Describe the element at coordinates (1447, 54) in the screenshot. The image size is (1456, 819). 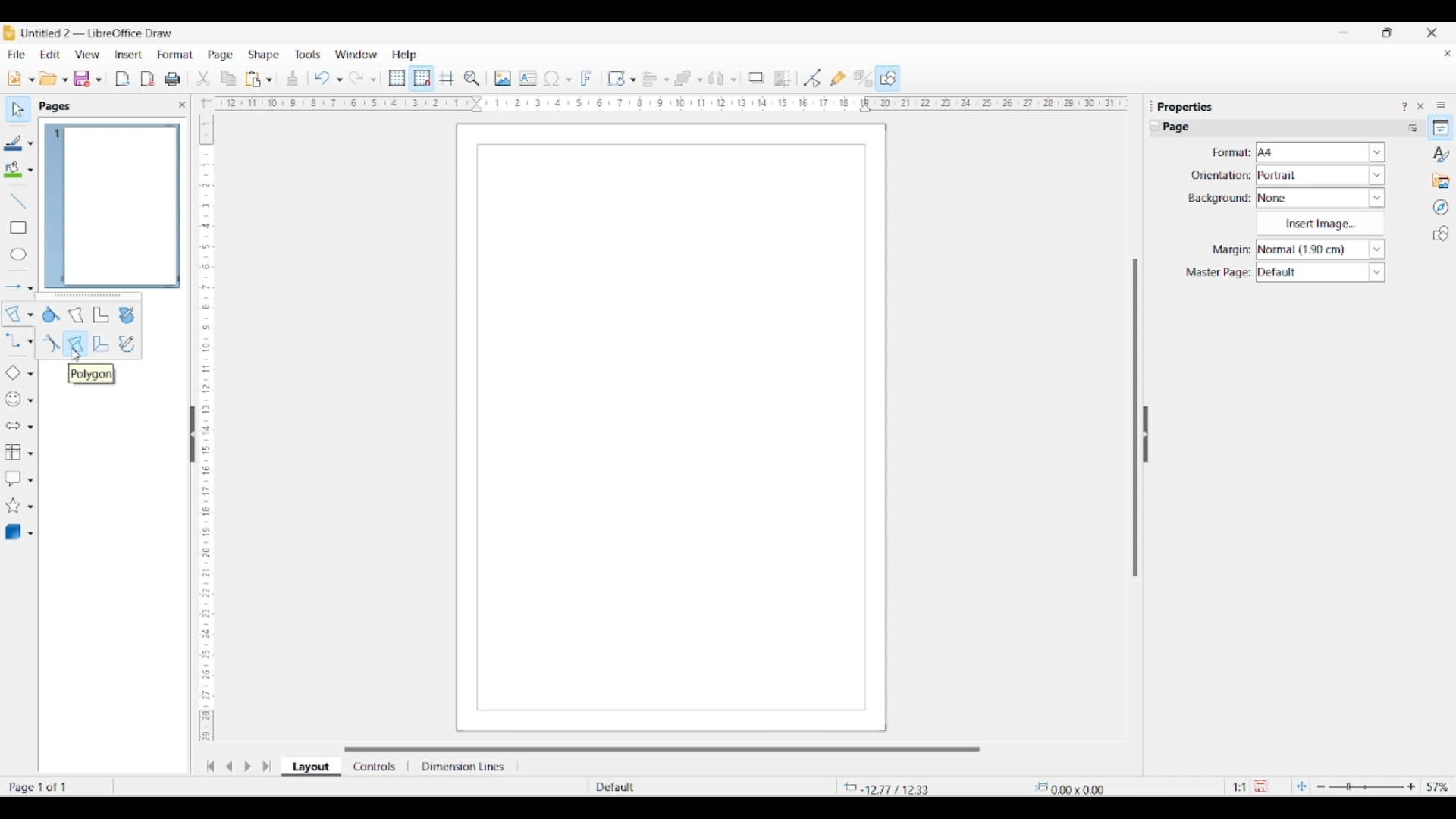
I see `Close current document ` at that location.